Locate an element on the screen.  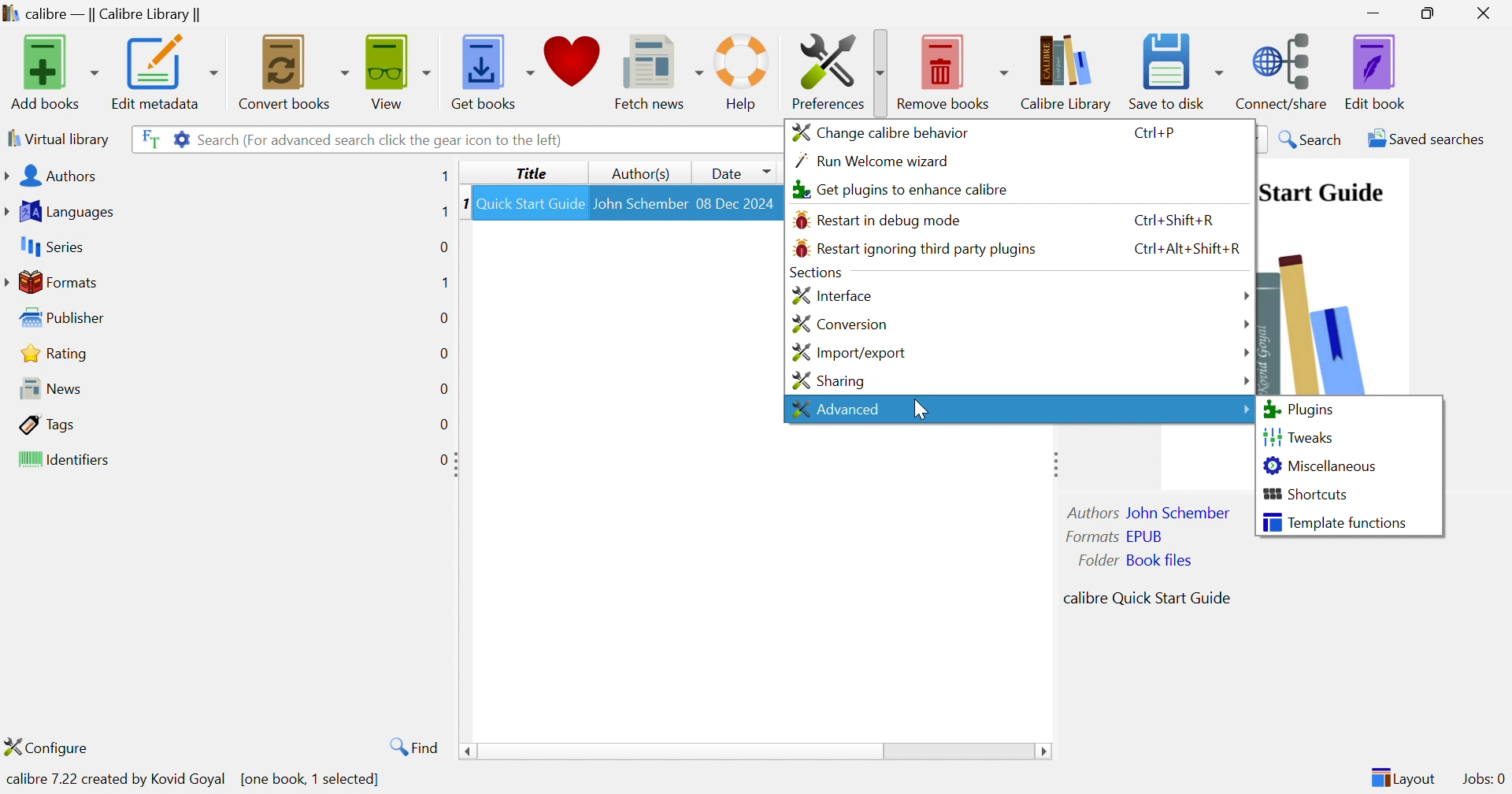
scroll bar is located at coordinates (755, 752).